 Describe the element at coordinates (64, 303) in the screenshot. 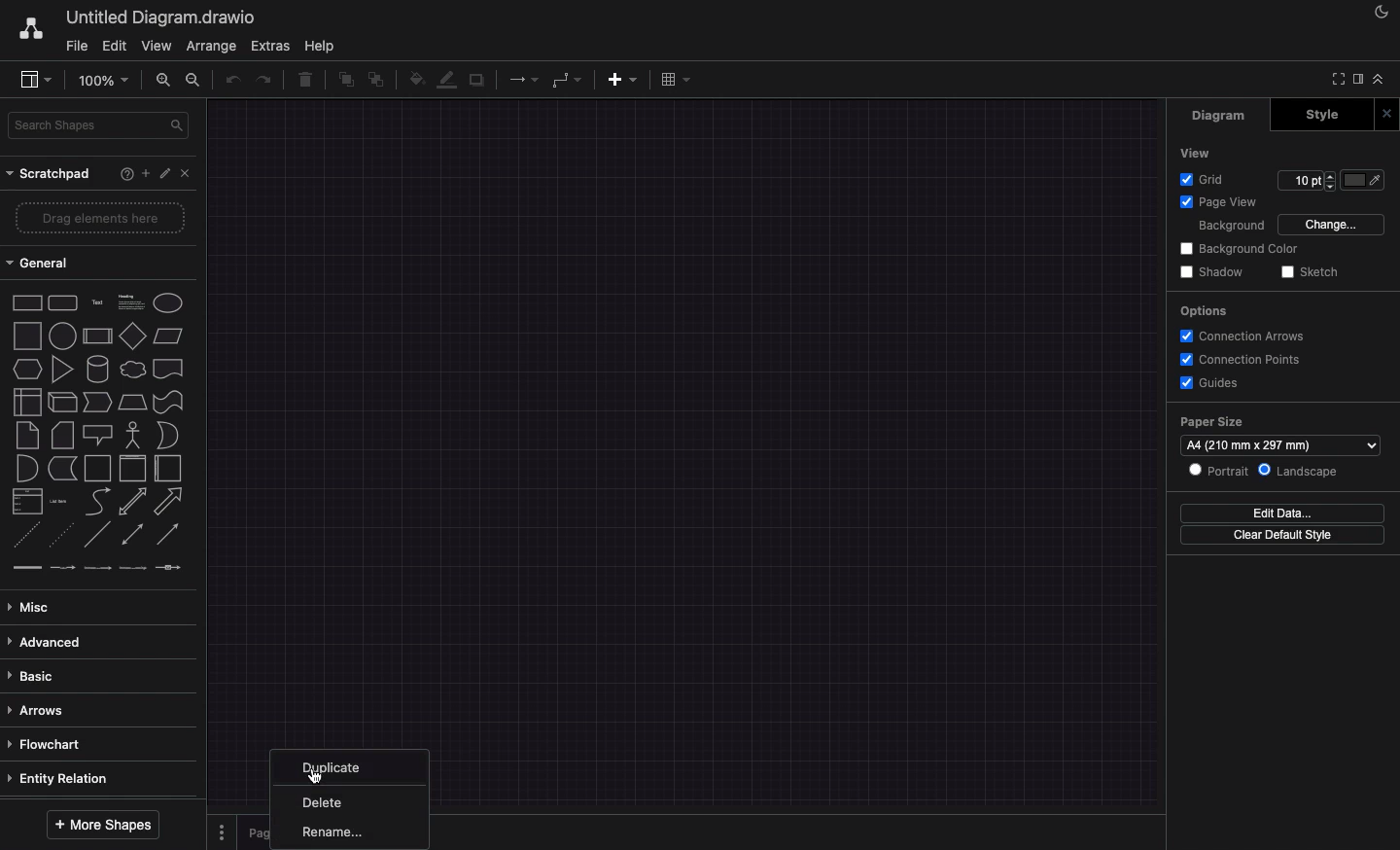

I see `rounded rectangle` at that location.